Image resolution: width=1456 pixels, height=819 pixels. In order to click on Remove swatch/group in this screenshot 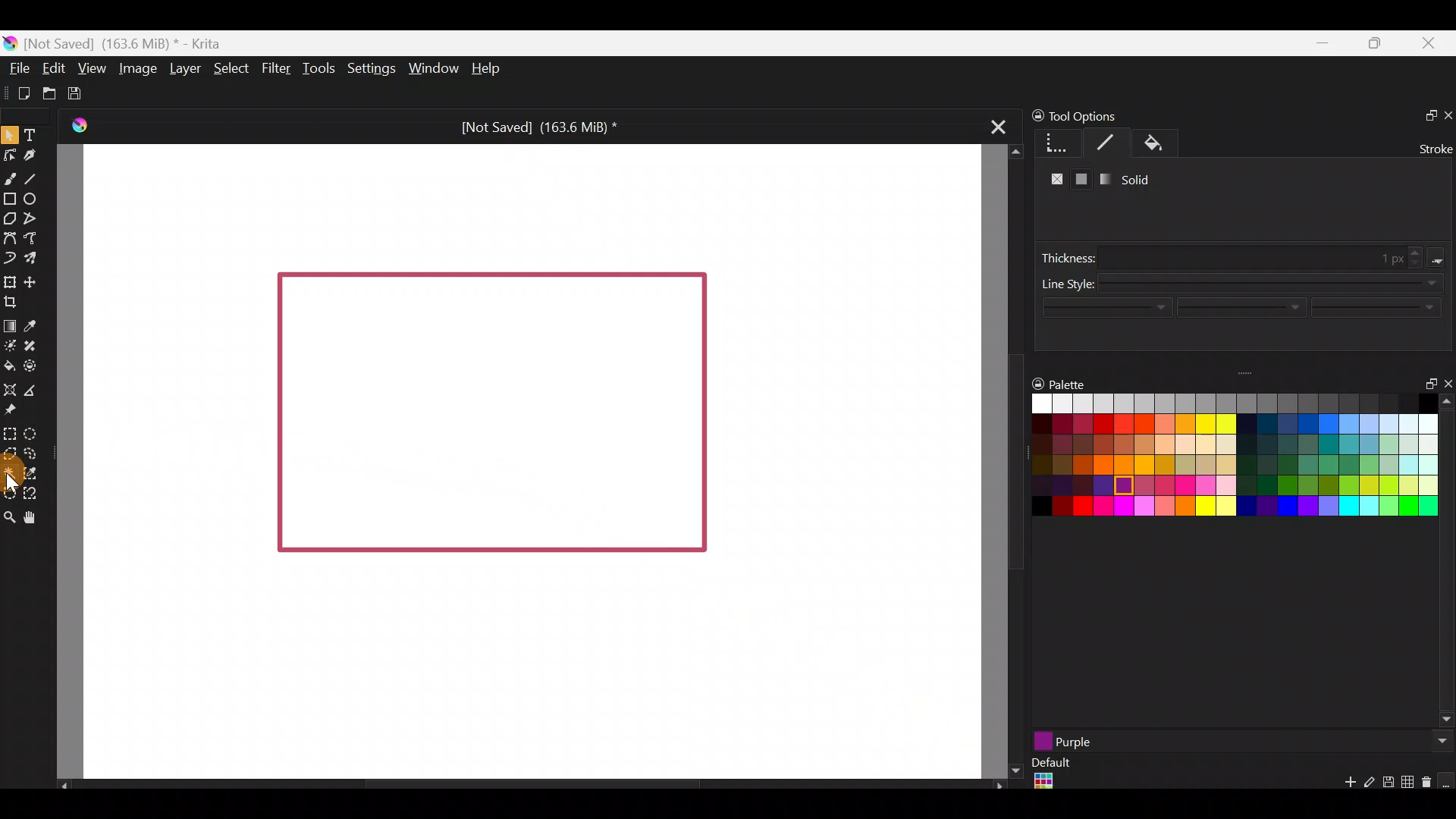, I will do `click(1429, 787)`.